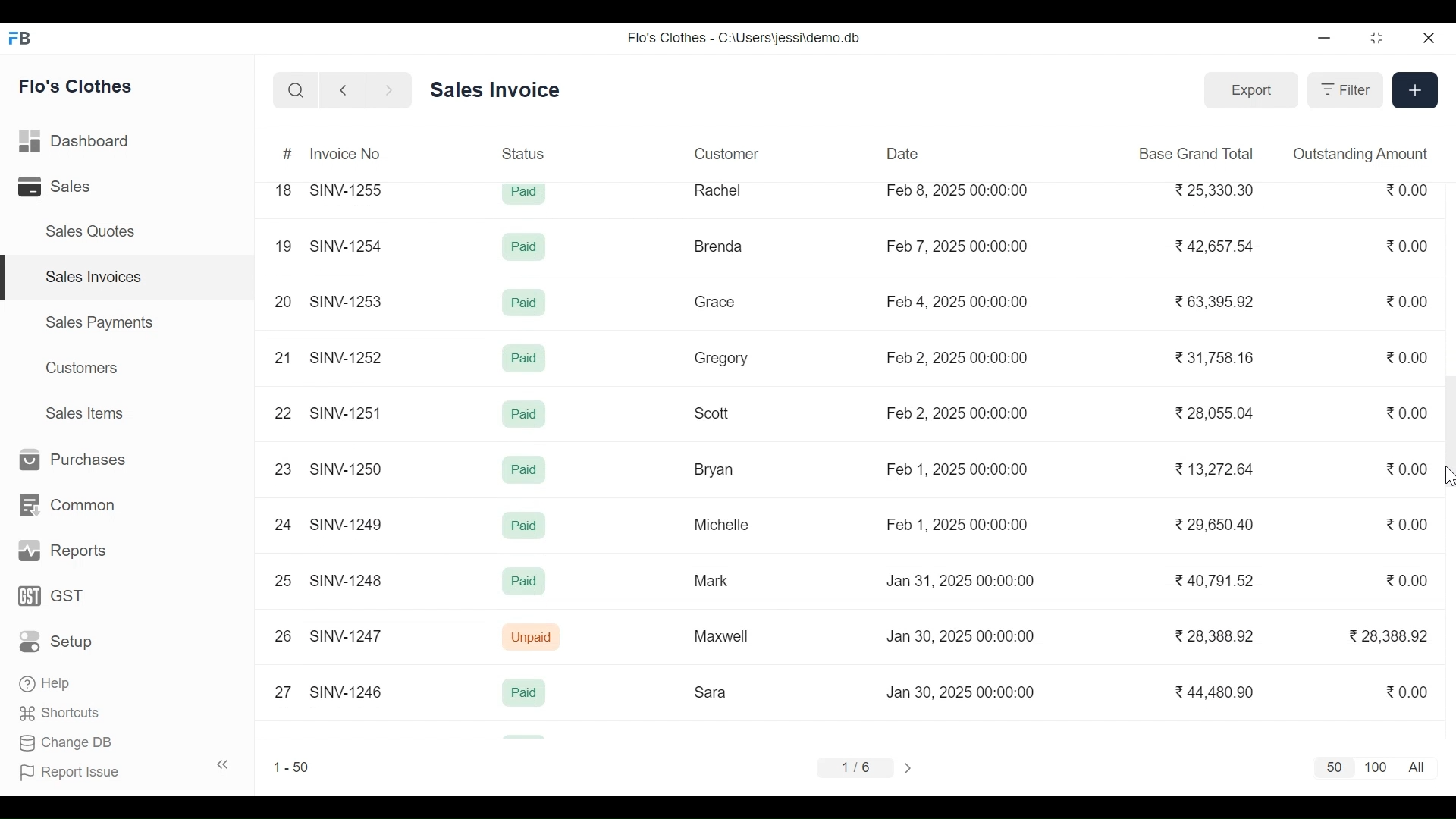 The width and height of the screenshot is (1456, 819). I want to click on Change DB, so click(67, 745).